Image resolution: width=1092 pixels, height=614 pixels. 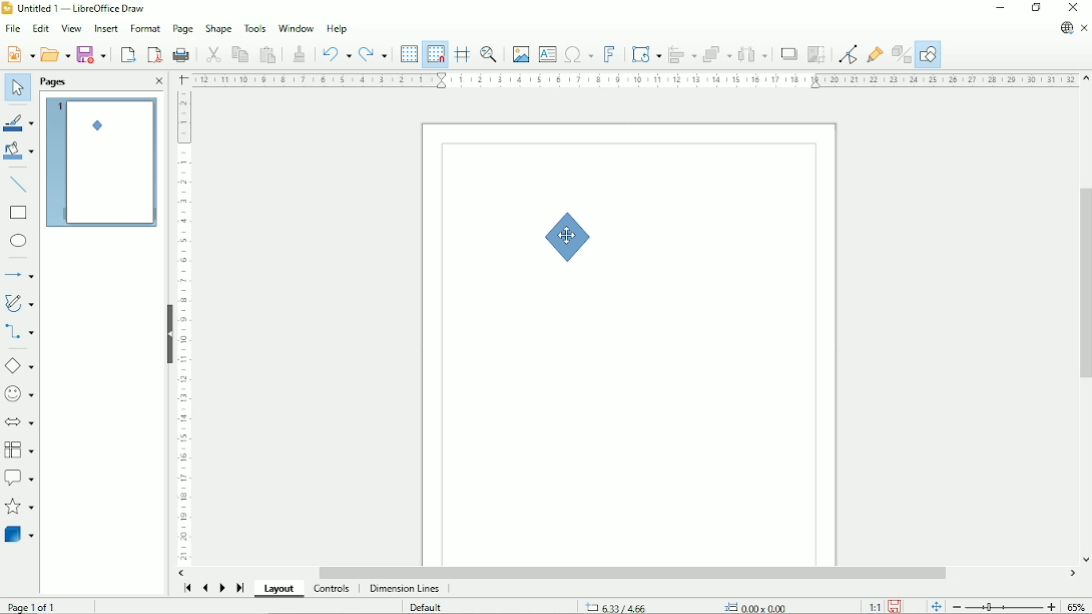 What do you see at coordinates (145, 29) in the screenshot?
I see `Format` at bounding box center [145, 29].